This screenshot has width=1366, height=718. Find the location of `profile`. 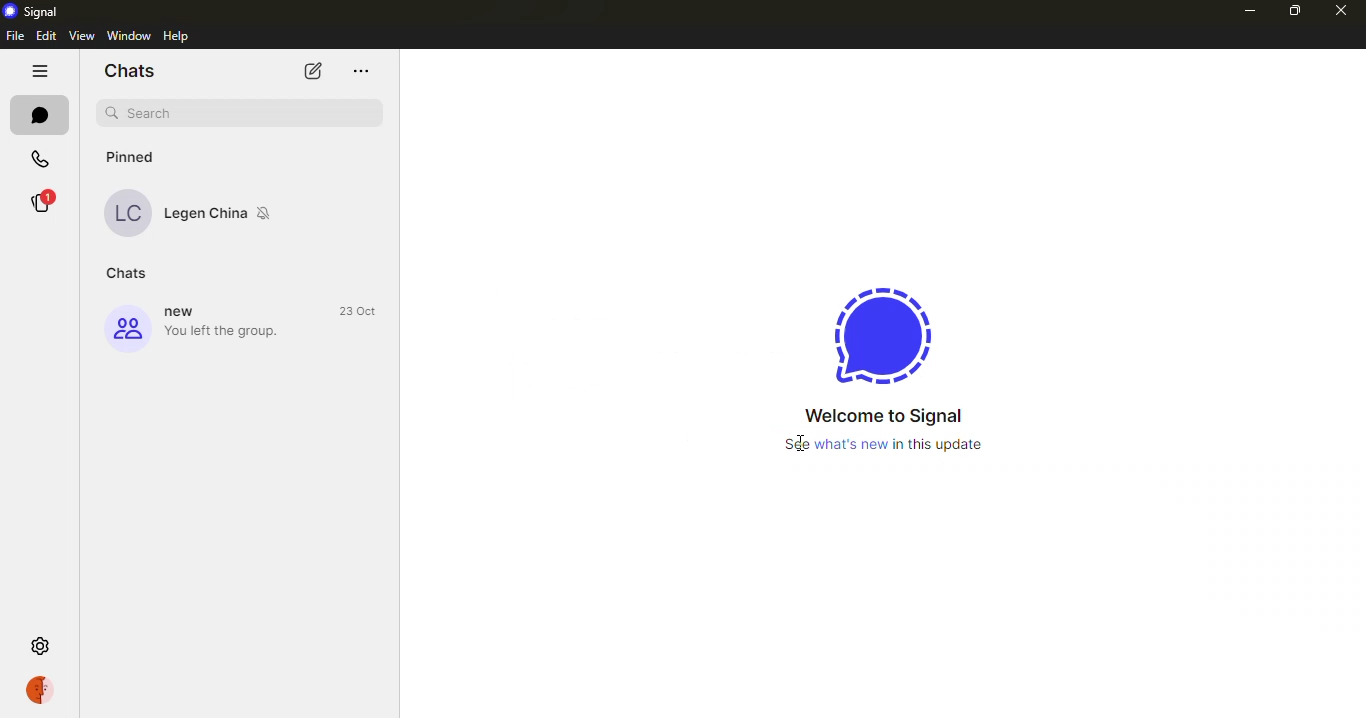

profile is located at coordinates (129, 213).